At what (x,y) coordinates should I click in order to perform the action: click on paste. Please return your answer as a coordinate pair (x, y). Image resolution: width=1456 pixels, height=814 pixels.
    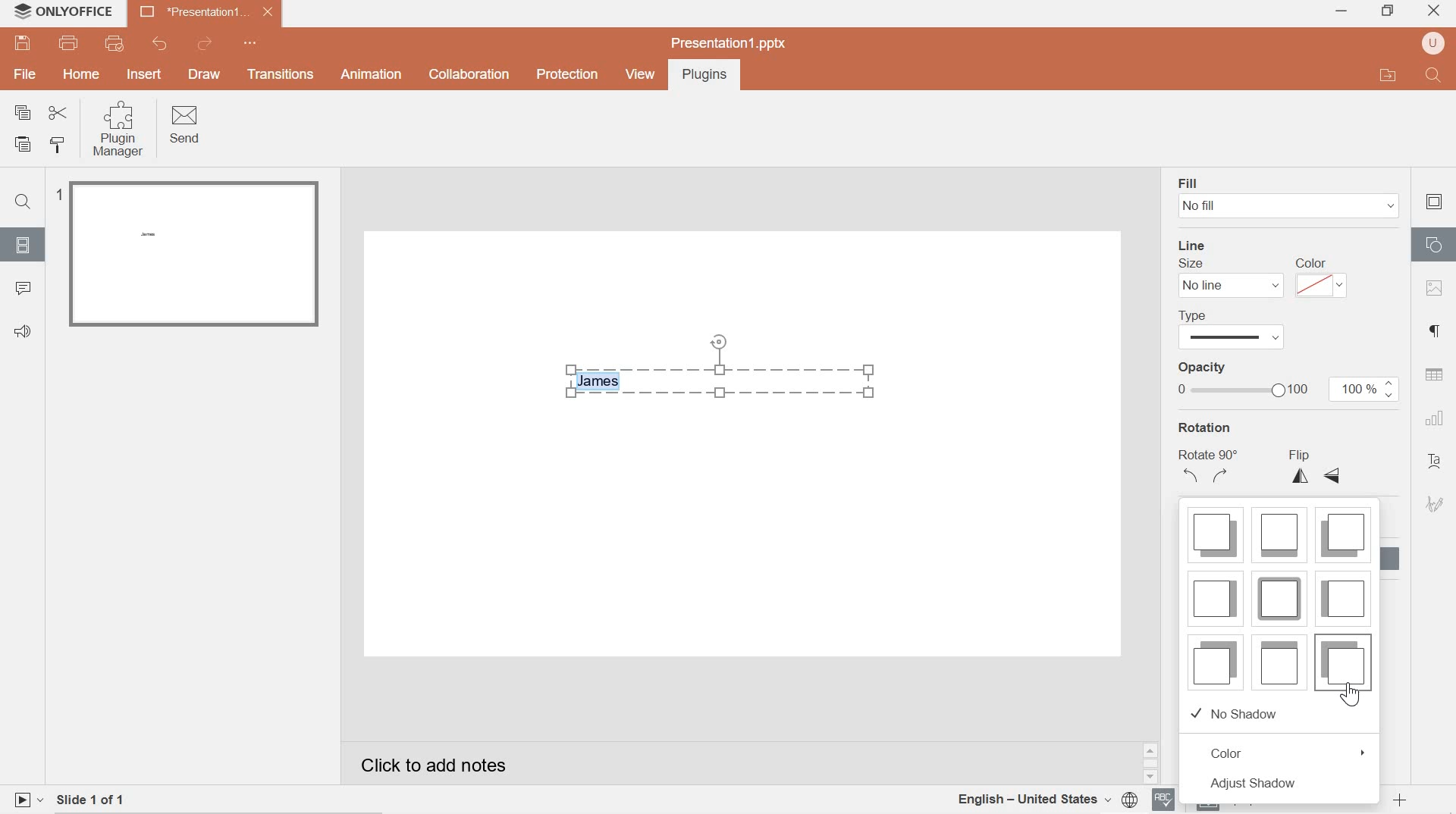
    Looking at the image, I should click on (26, 145).